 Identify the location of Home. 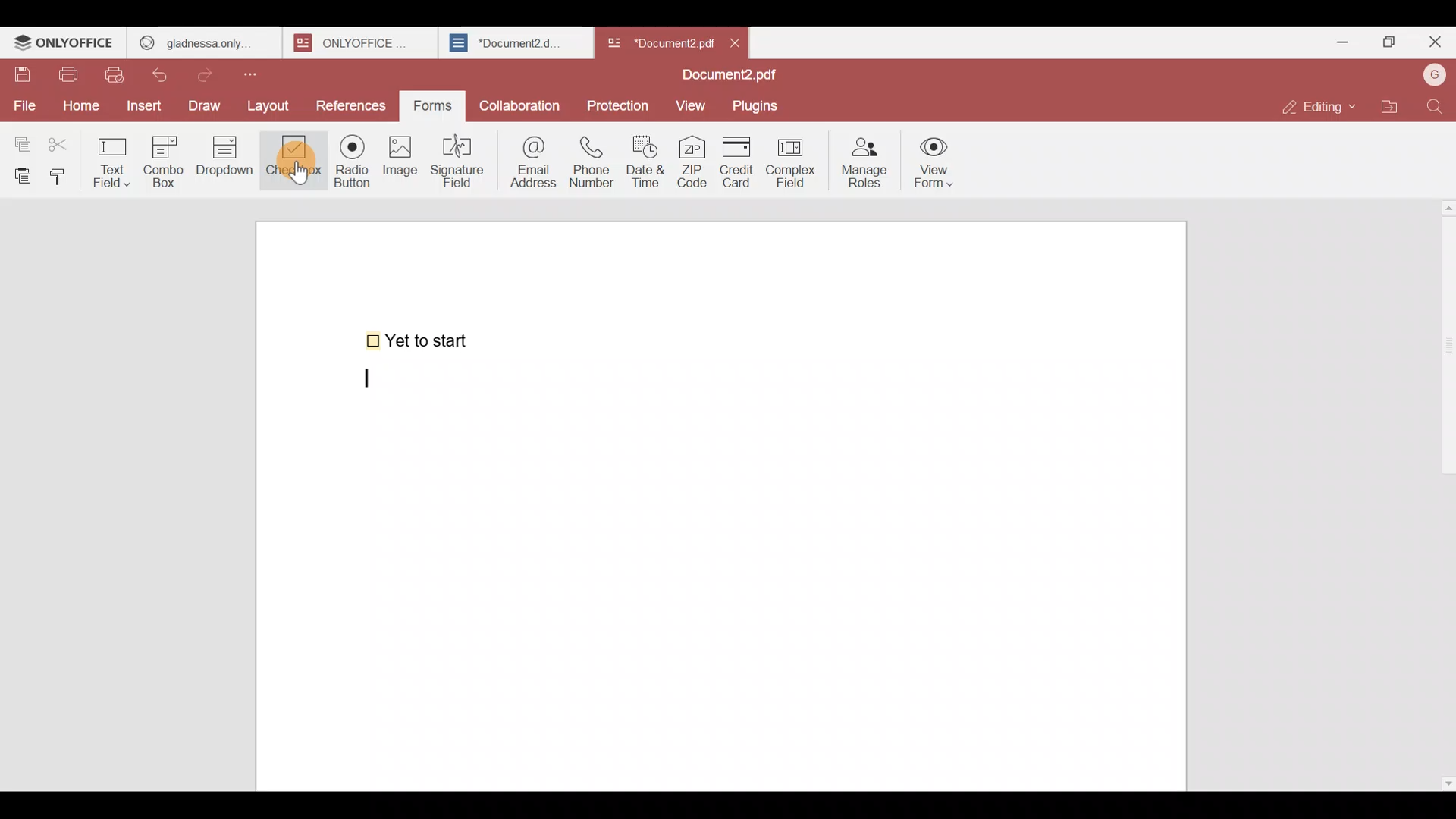
(78, 105).